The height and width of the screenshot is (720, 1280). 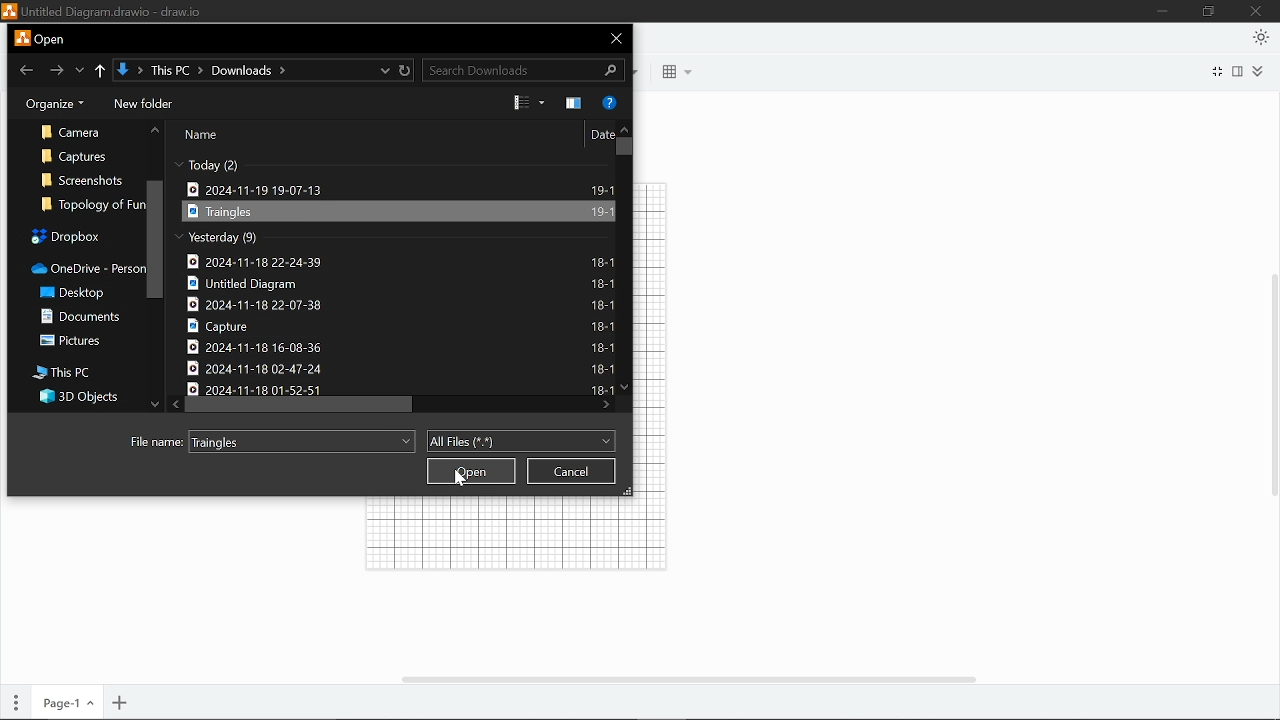 What do you see at coordinates (49, 39) in the screenshot?
I see `Open` at bounding box center [49, 39].